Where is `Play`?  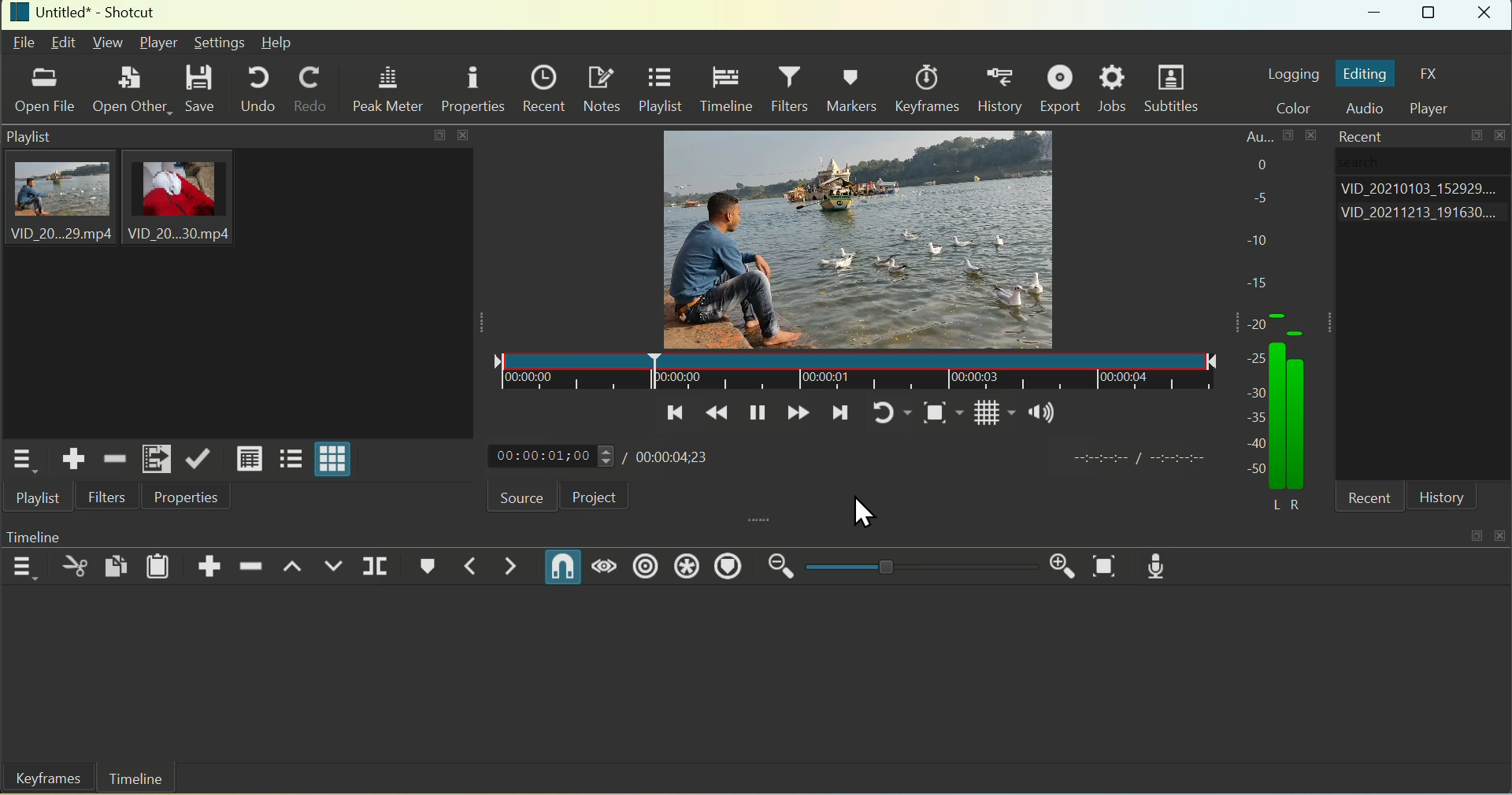 Play is located at coordinates (756, 412).